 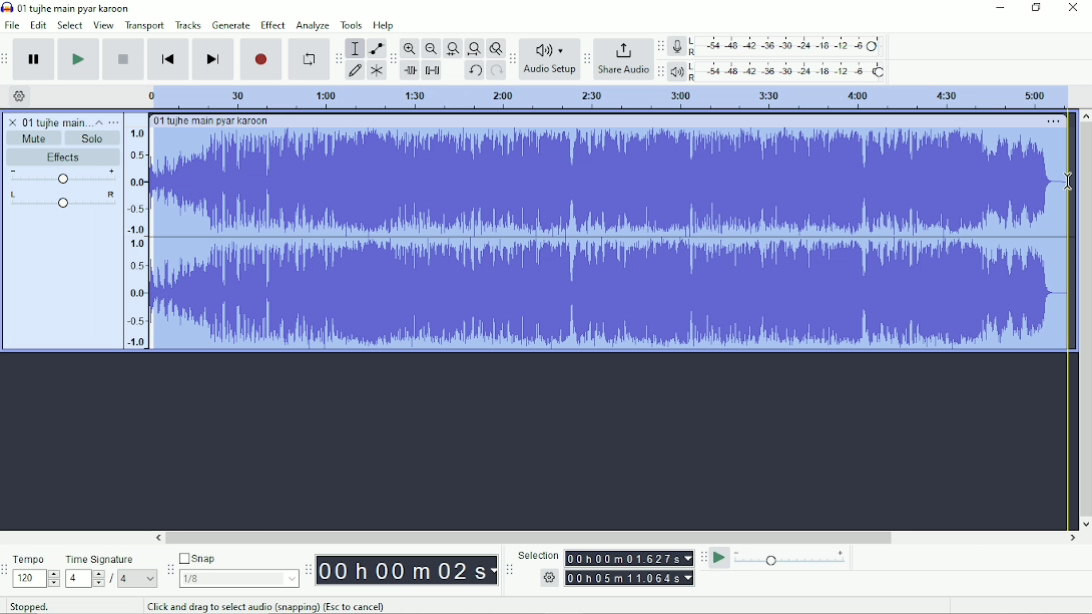 I want to click on Undo, so click(x=474, y=71).